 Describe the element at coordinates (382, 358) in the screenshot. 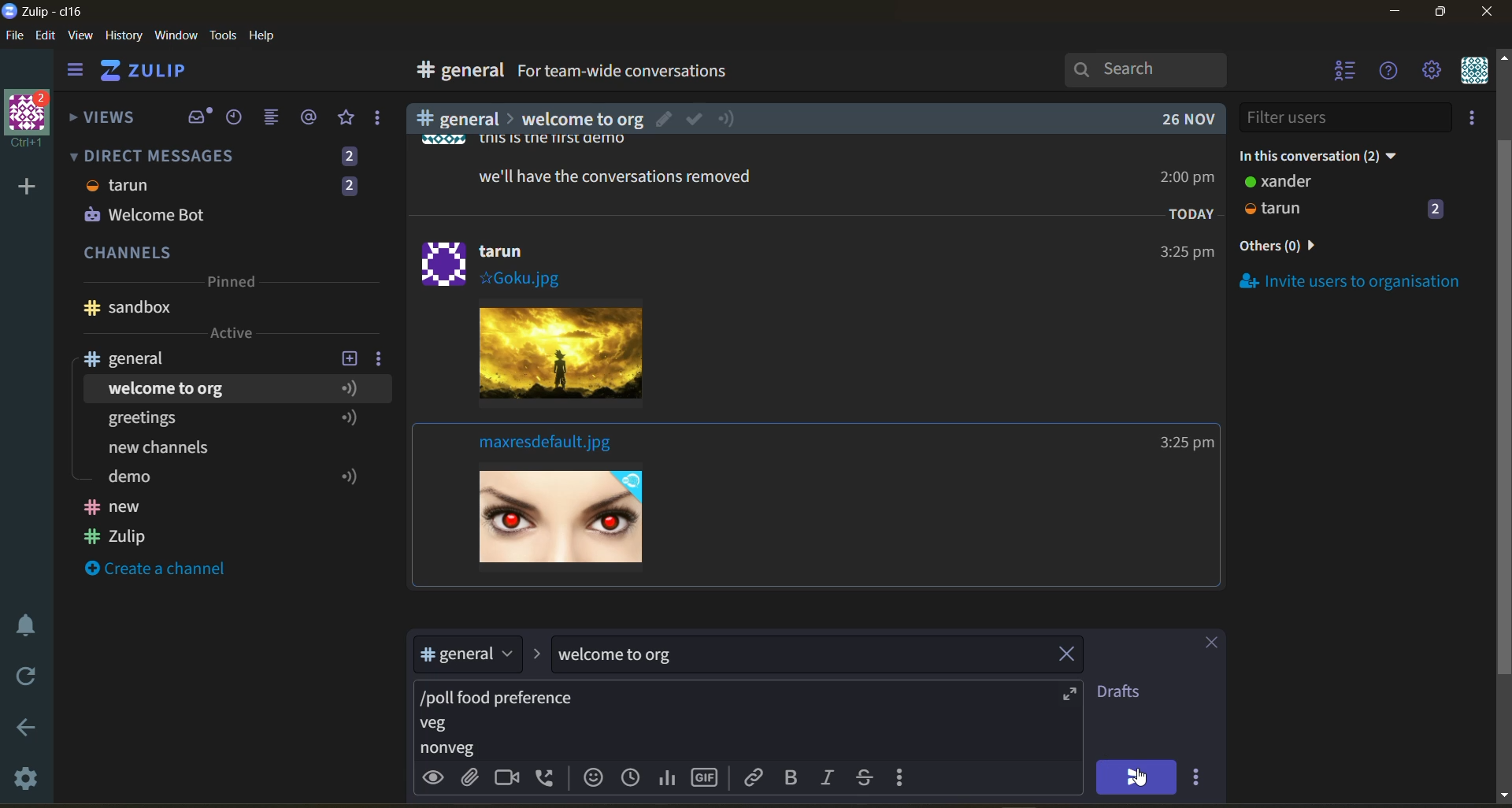

I see `channel settings` at that location.